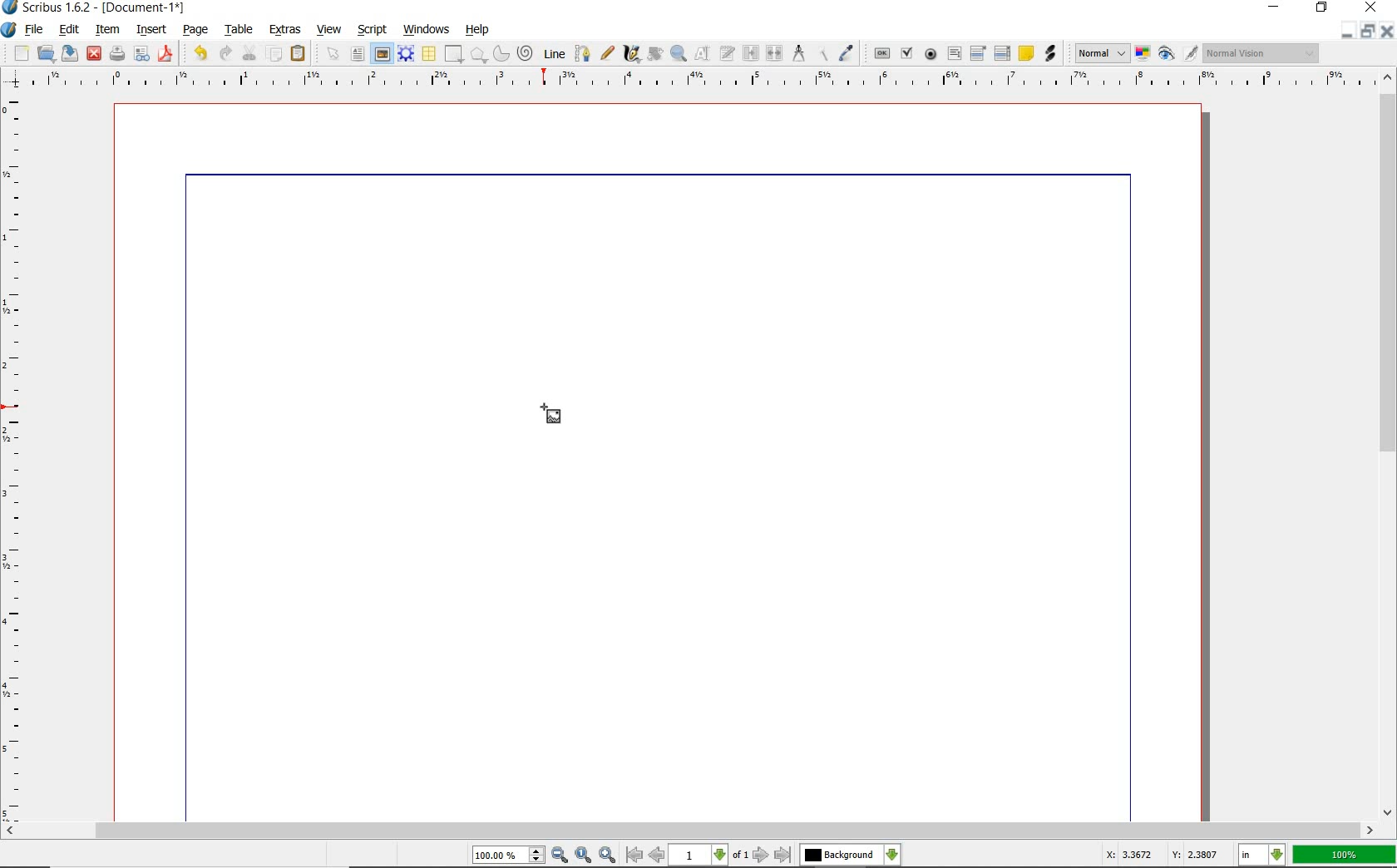  I want to click on edit contents of frame, so click(654, 54).